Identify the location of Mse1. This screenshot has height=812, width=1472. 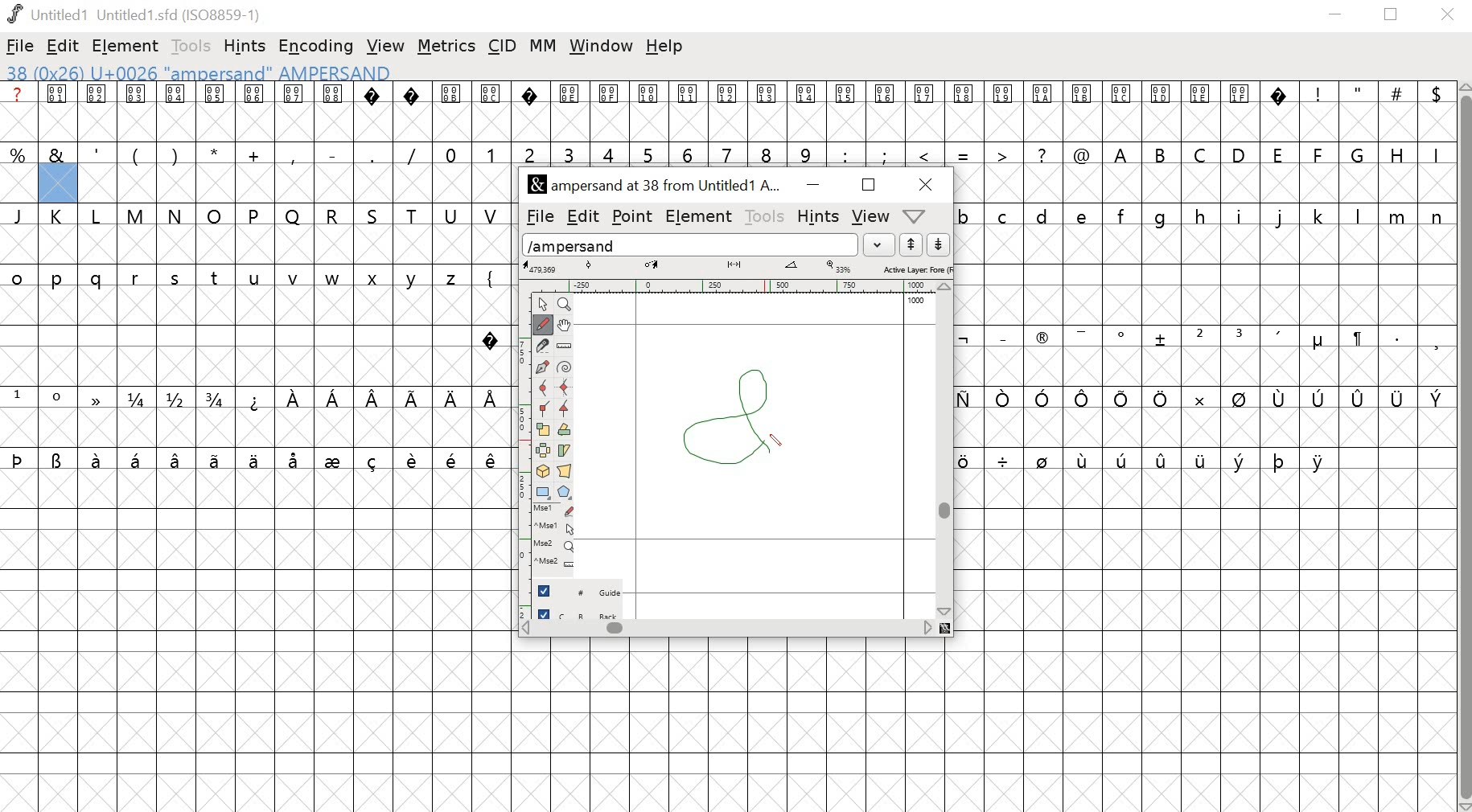
(555, 510).